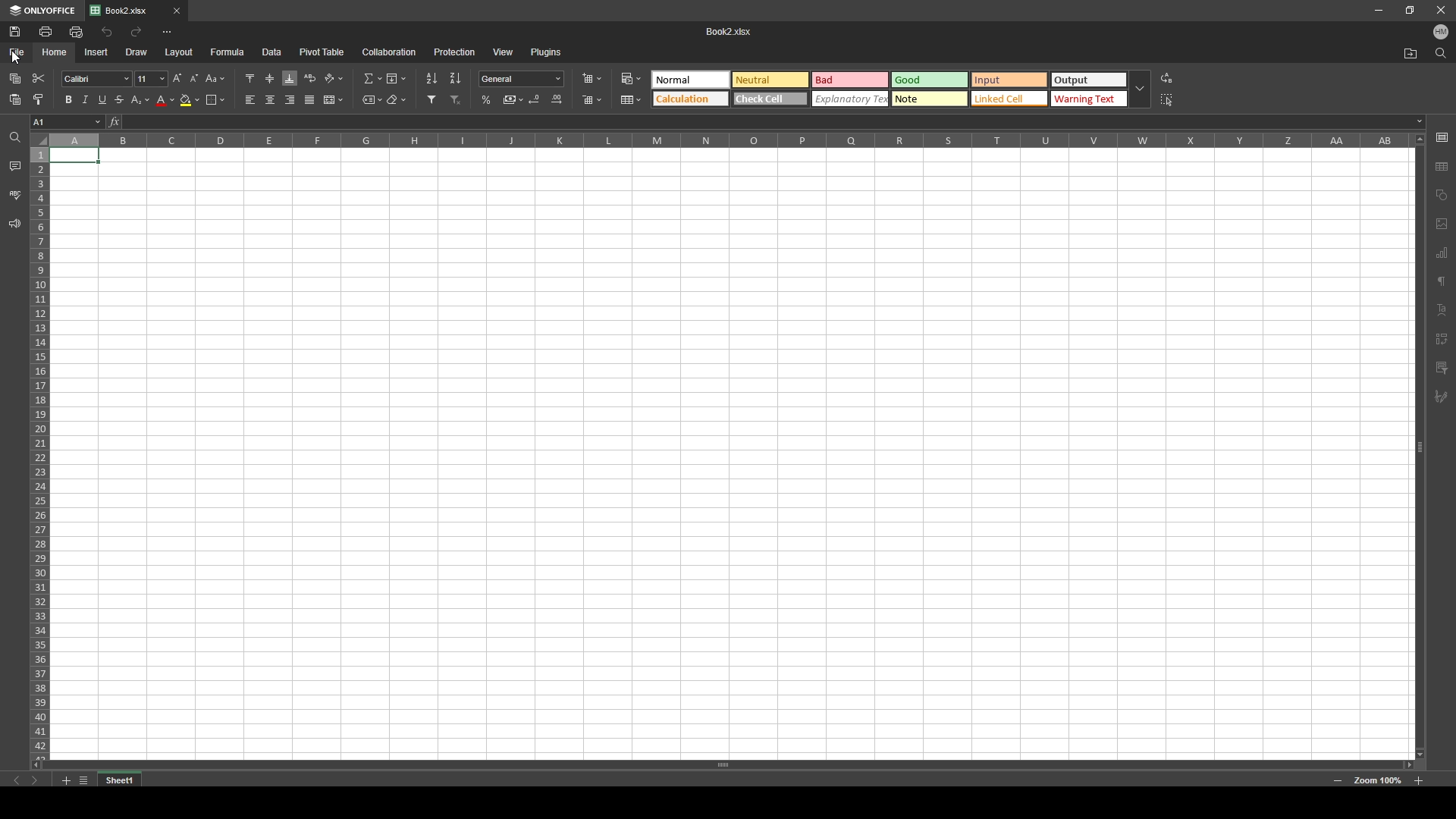 The width and height of the screenshot is (1456, 819). I want to click on fill, so click(396, 79).